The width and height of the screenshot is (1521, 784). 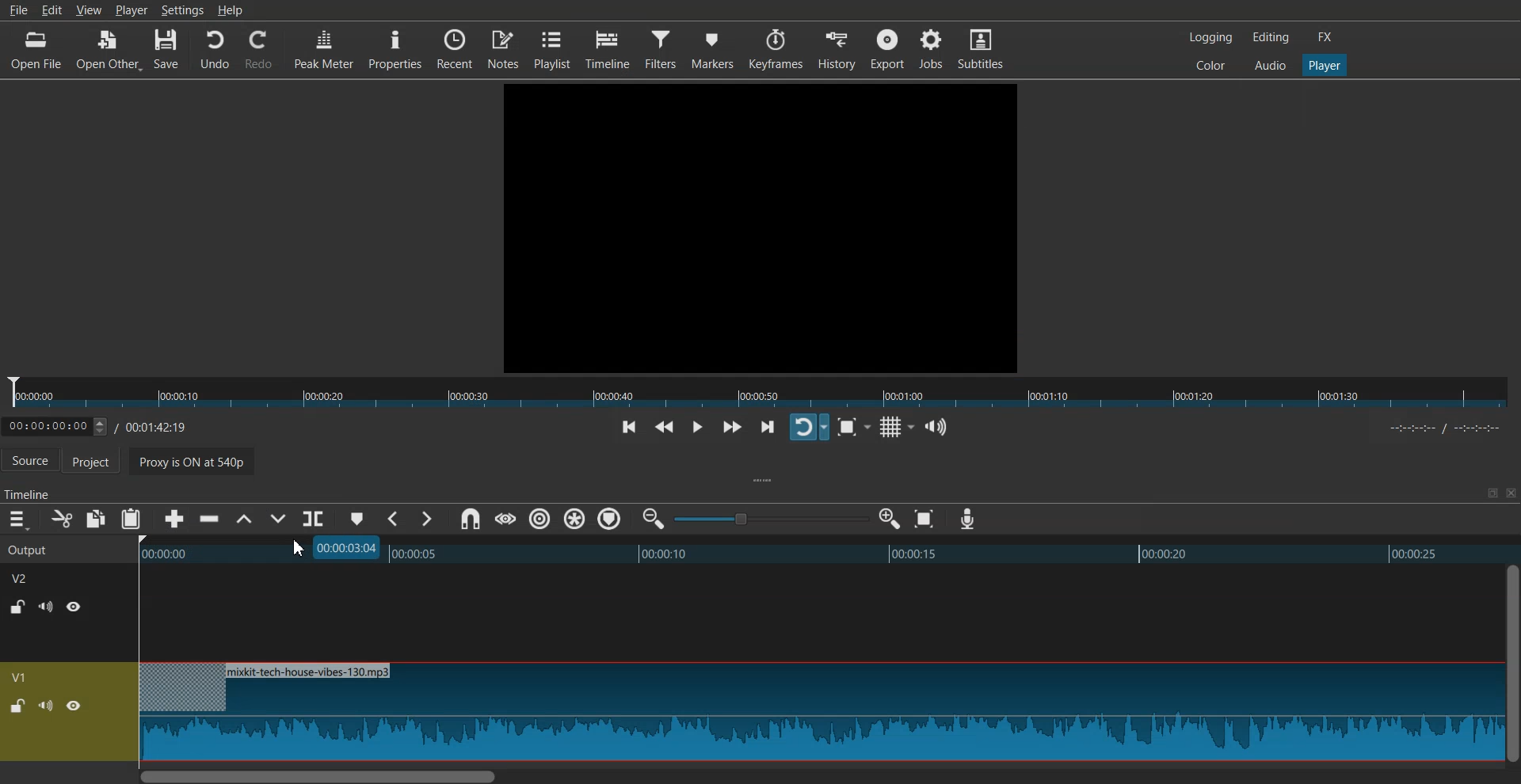 I want to click on Toggle grid display on the player, so click(x=894, y=428).